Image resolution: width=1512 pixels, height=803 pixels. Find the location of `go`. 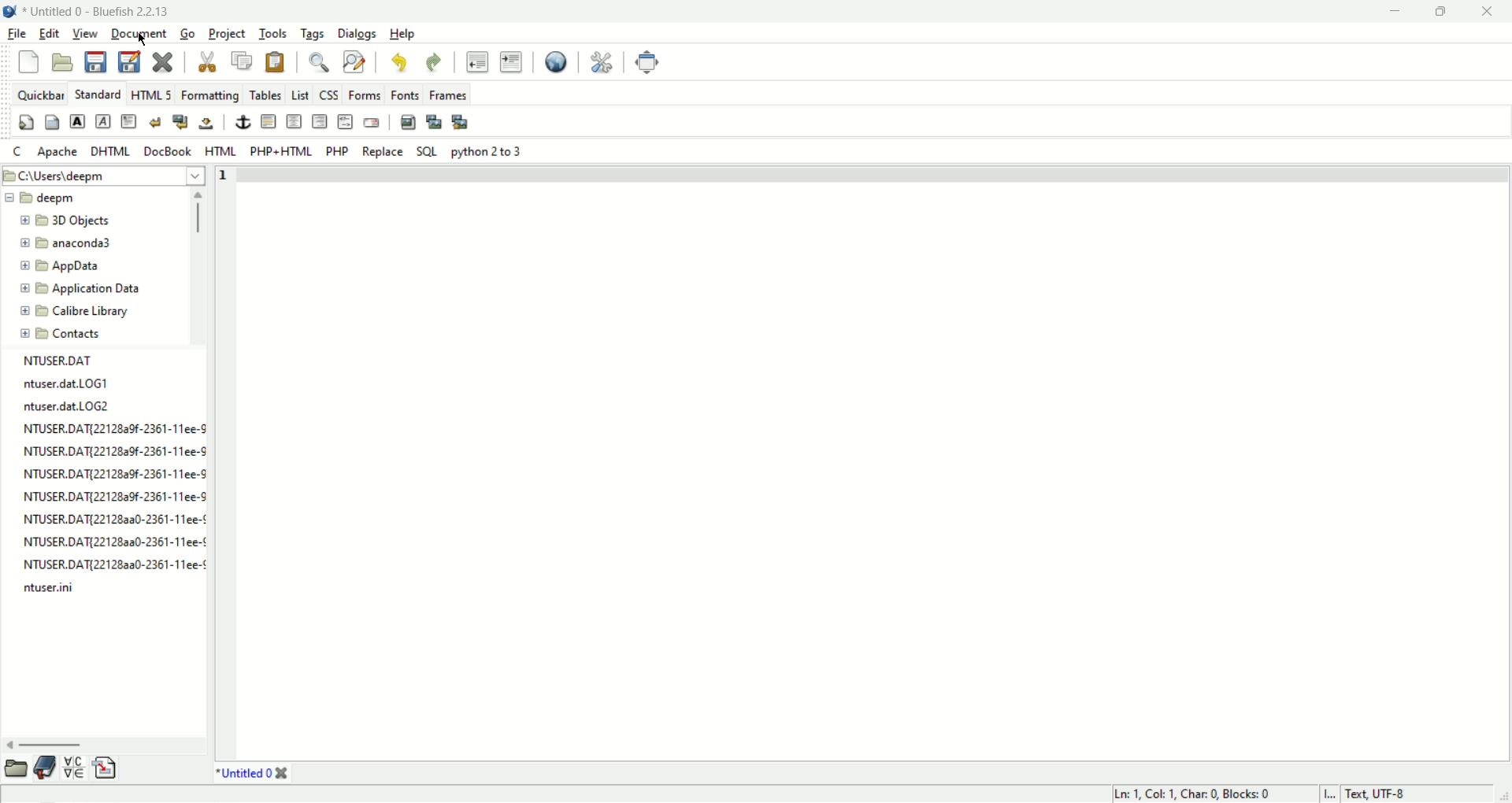

go is located at coordinates (190, 34).